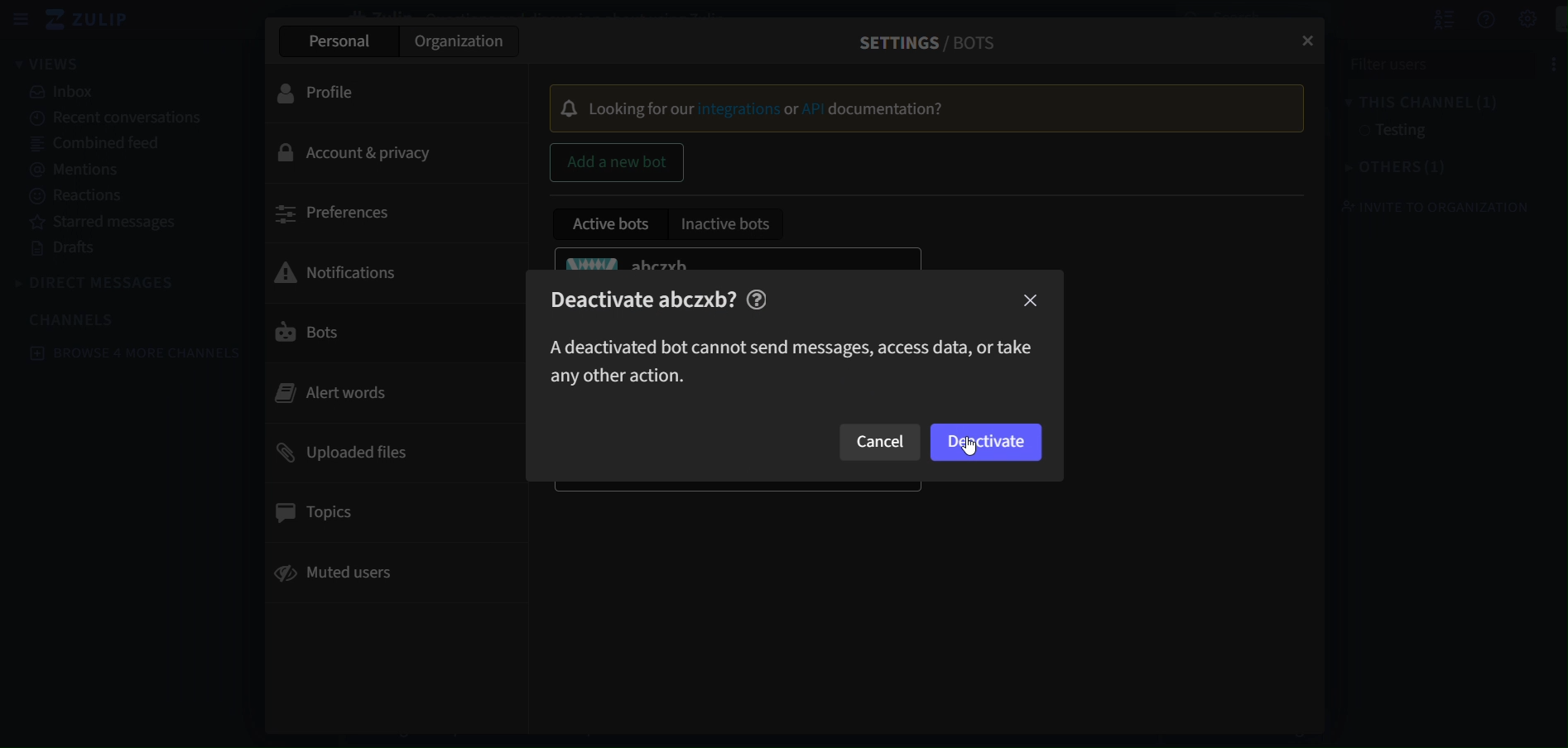 The width and height of the screenshot is (1568, 748). I want to click on account & privacy, so click(357, 151).